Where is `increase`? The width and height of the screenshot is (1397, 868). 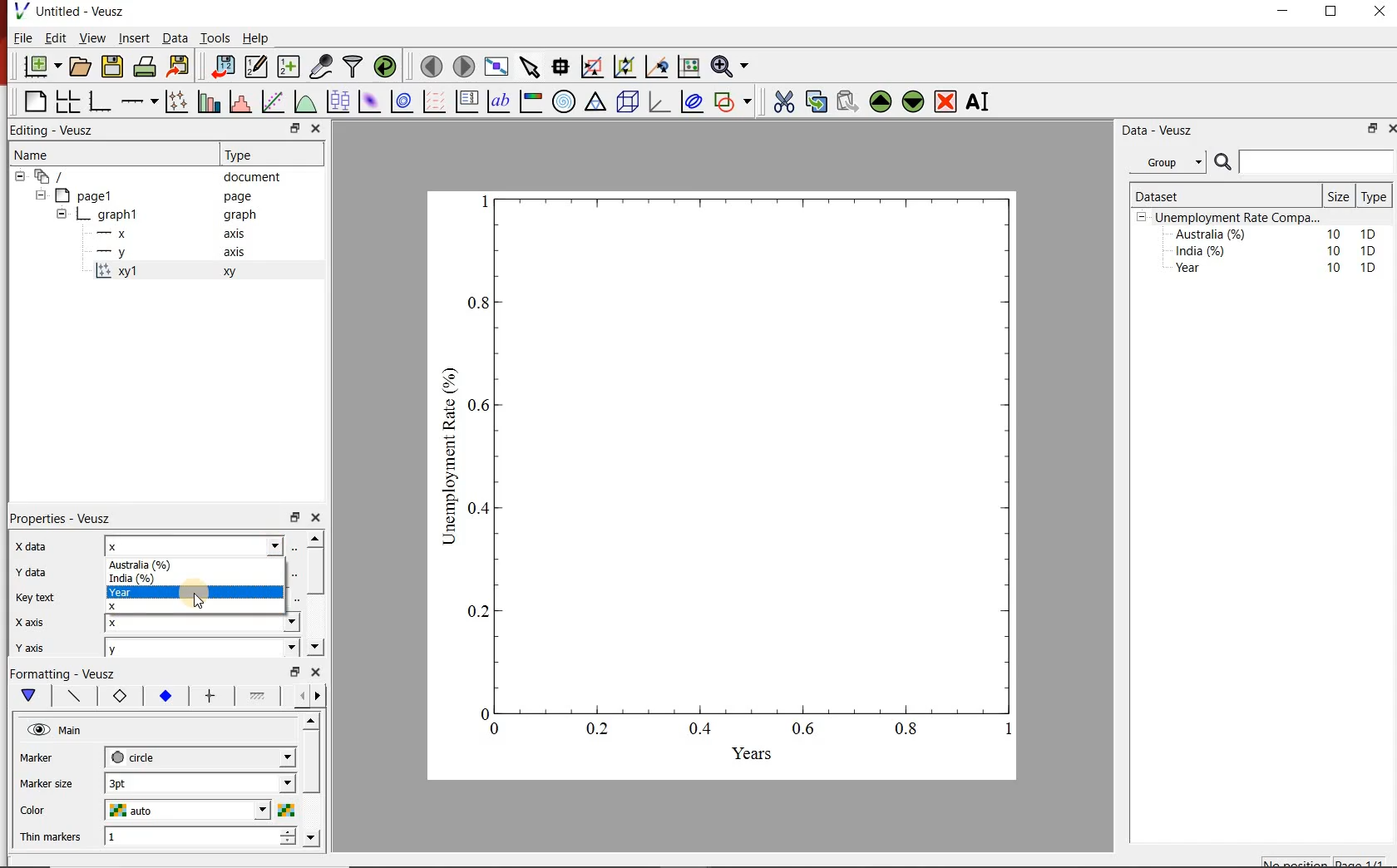
increase is located at coordinates (290, 831).